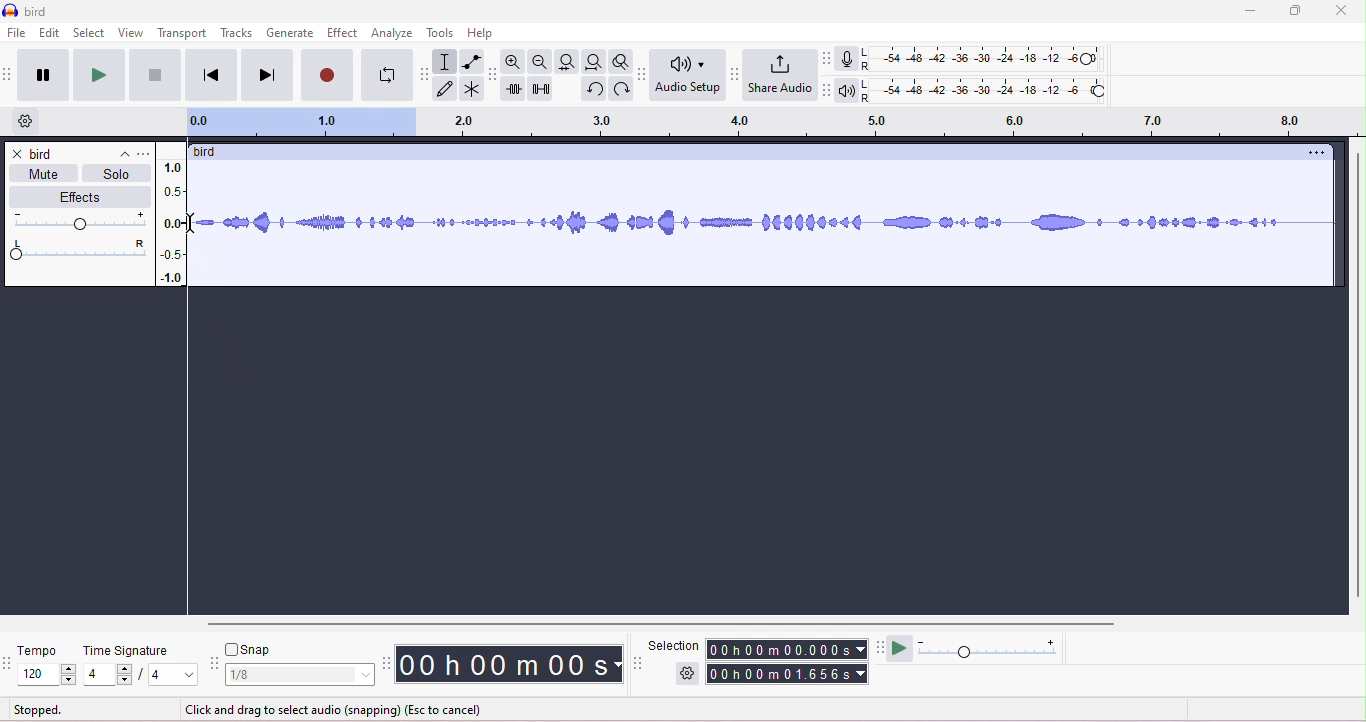 The height and width of the screenshot is (722, 1366). I want to click on share audio tool bar, so click(736, 73).